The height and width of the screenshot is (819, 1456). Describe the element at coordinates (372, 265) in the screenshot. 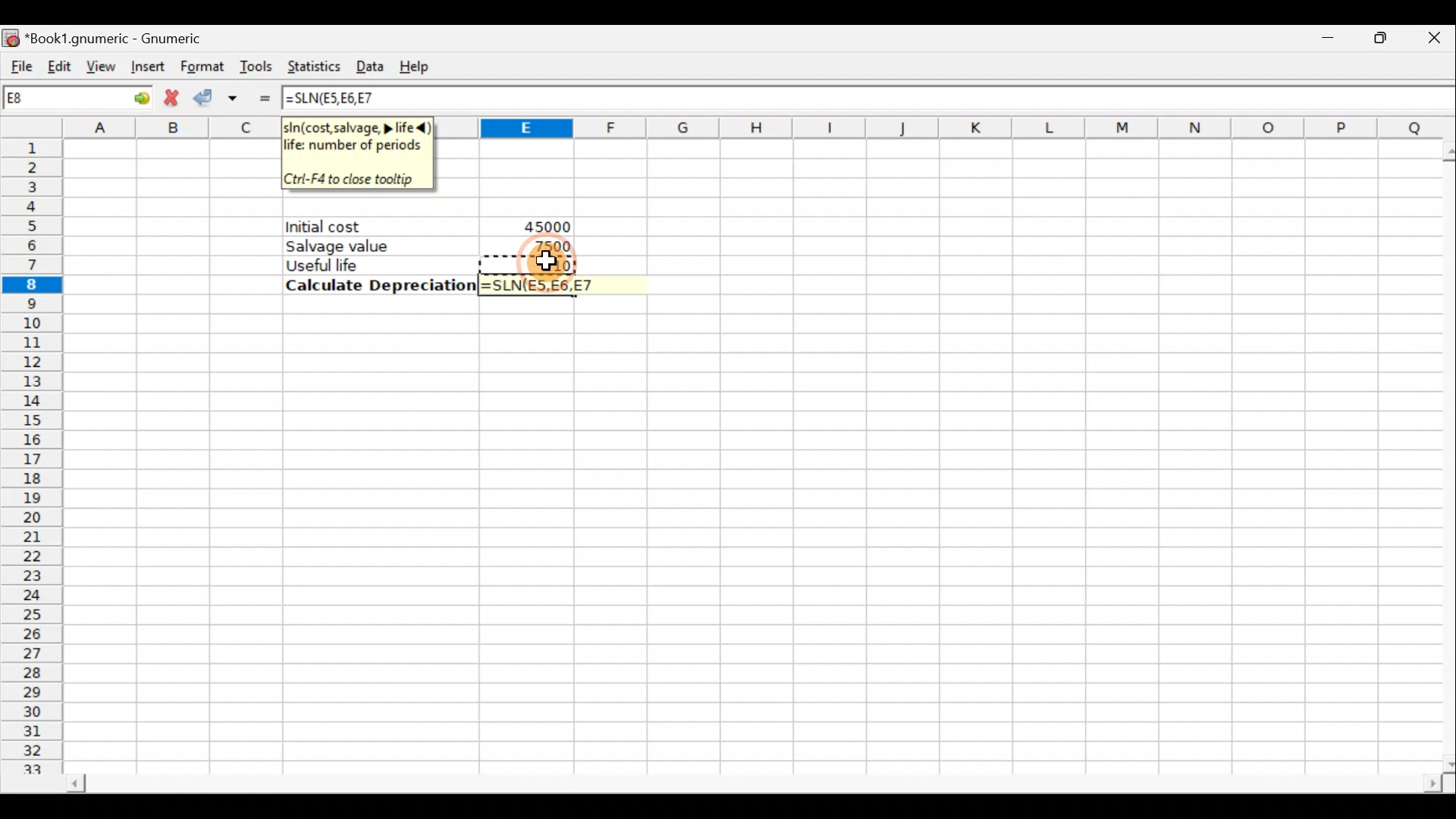

I see `Useful life` at that location.